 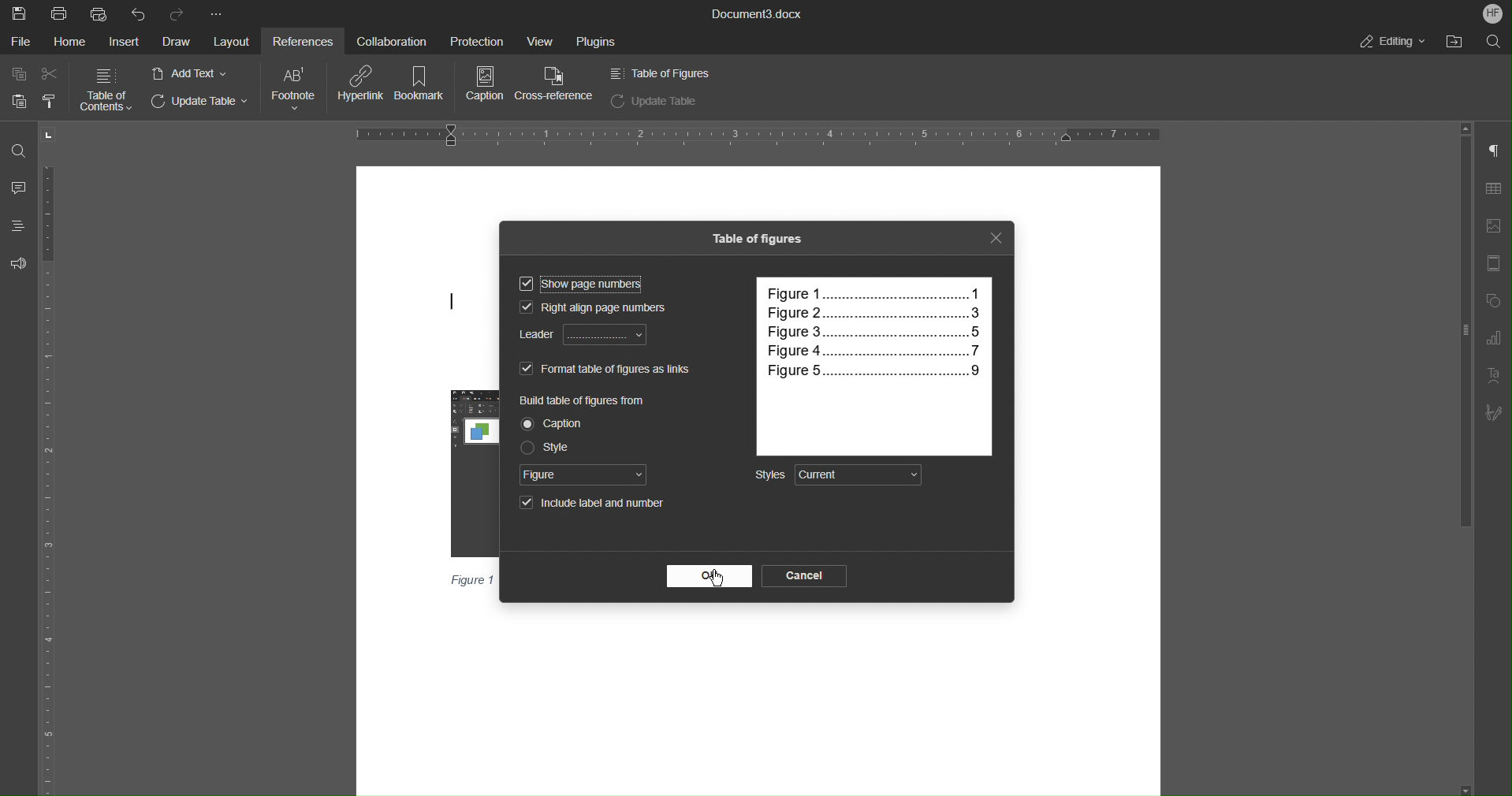 What do you see at coordinates (123, 42) in the screenshot?
I see `Insert` at bounding box center [123, 42].